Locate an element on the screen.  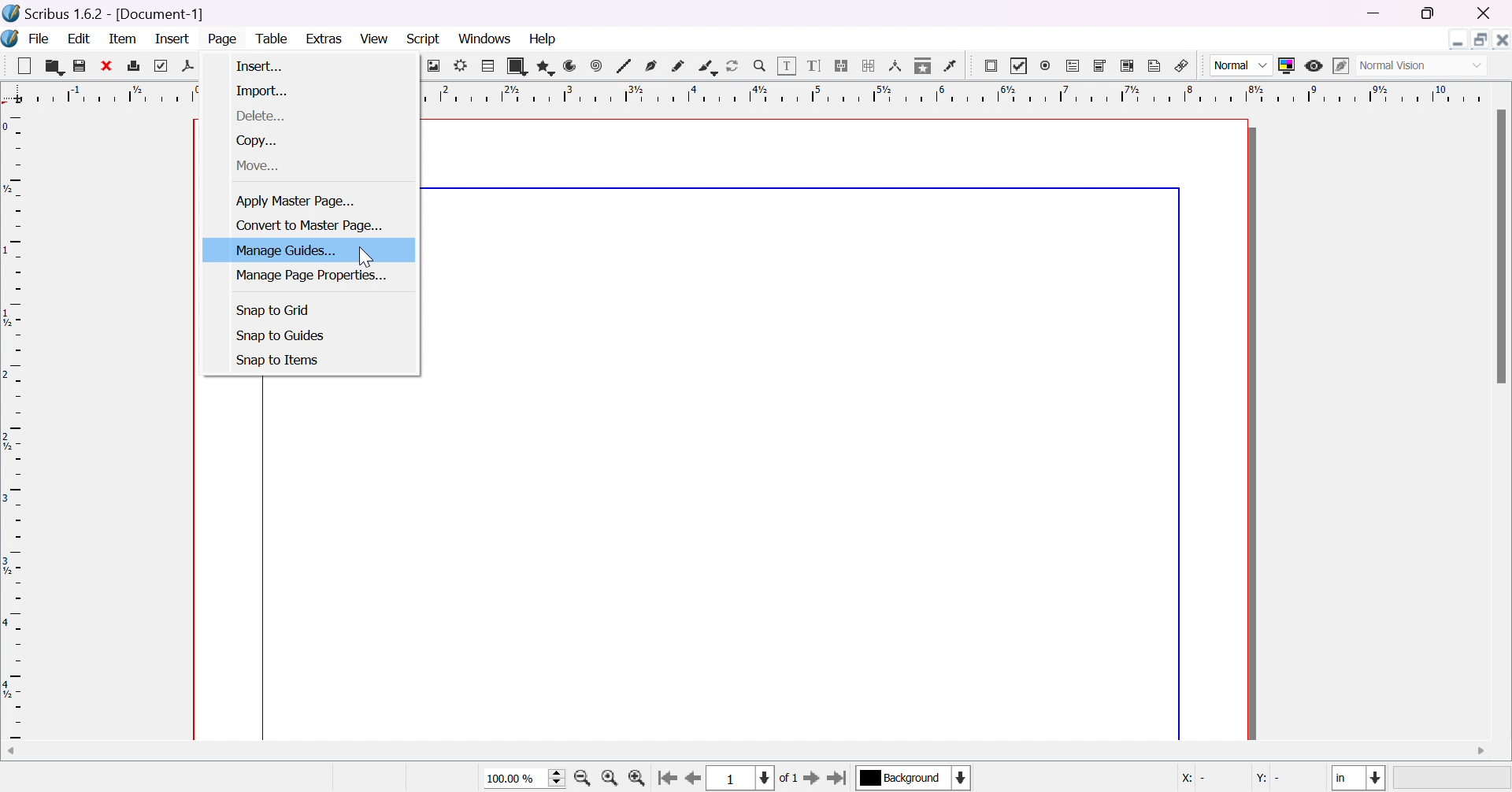
PDF text field is located at coordinates (1075, 67).